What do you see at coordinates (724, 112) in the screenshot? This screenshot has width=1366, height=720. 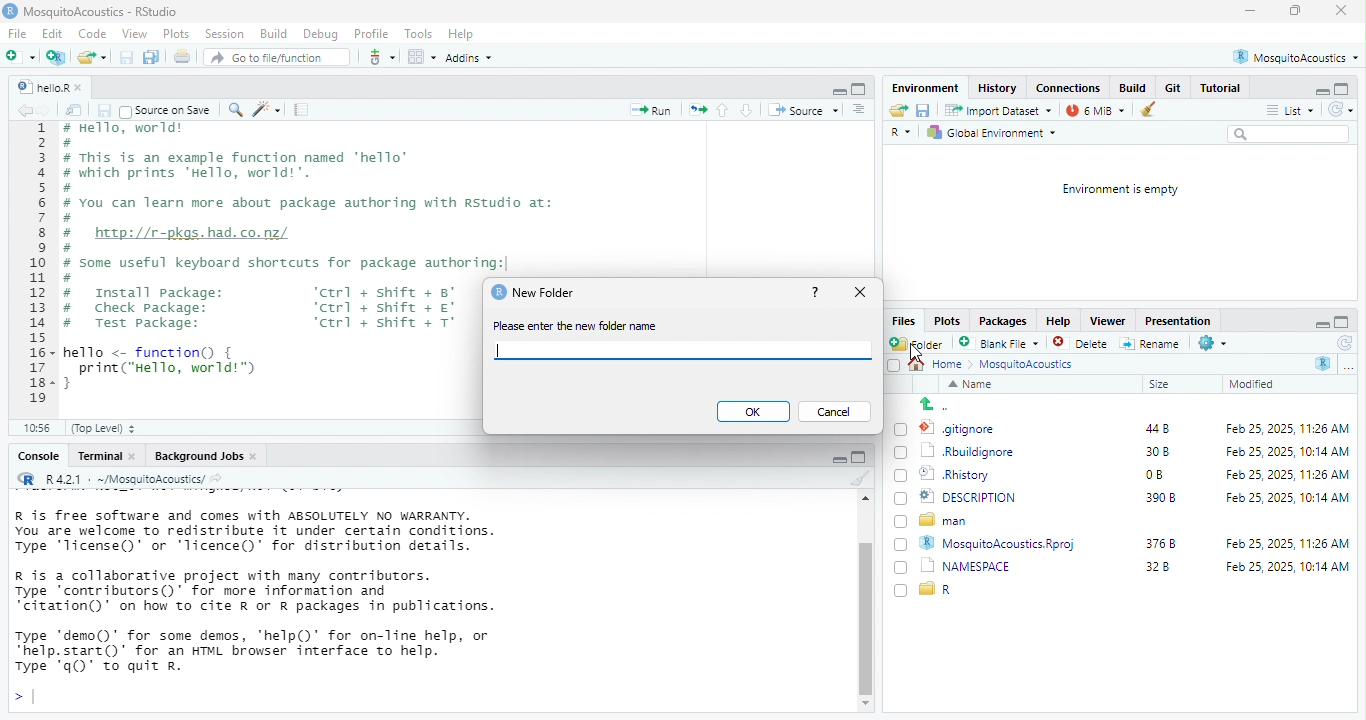 I see `go to previous section/chunk` at bounding box center [724, 112].